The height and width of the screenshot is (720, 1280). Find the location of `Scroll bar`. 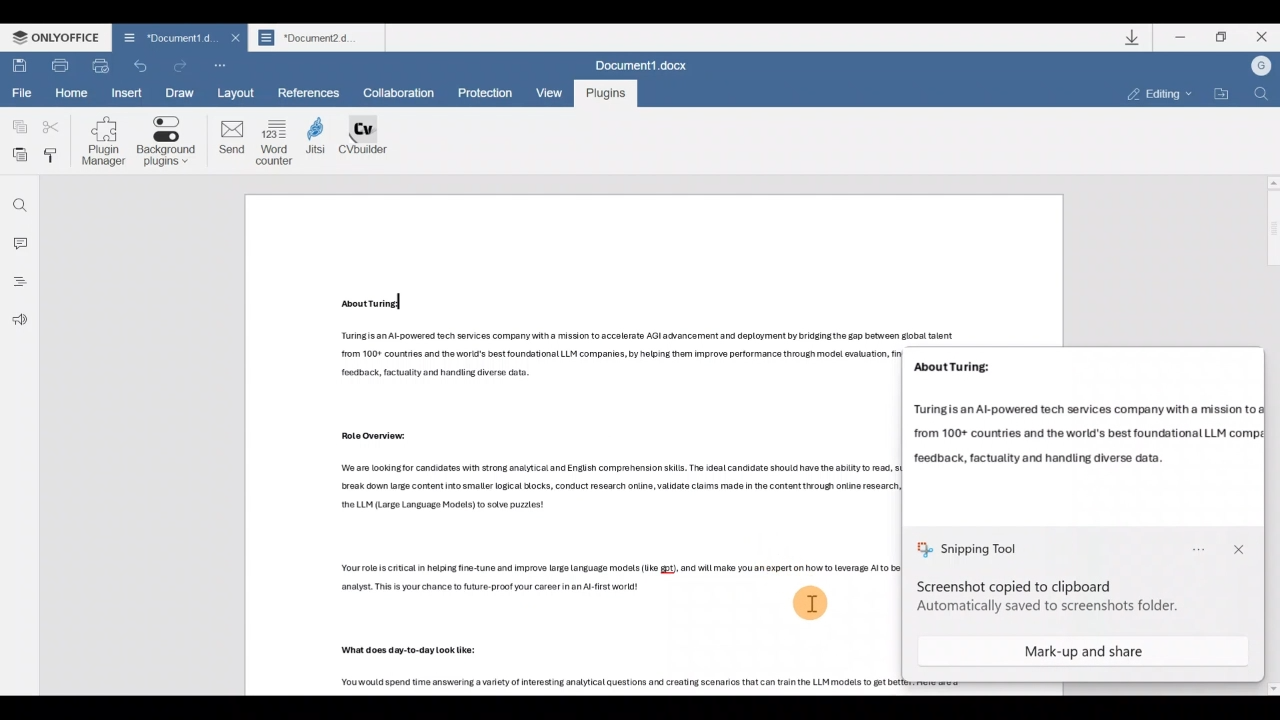

Scroll bar is located at coordinates (1272, 439).